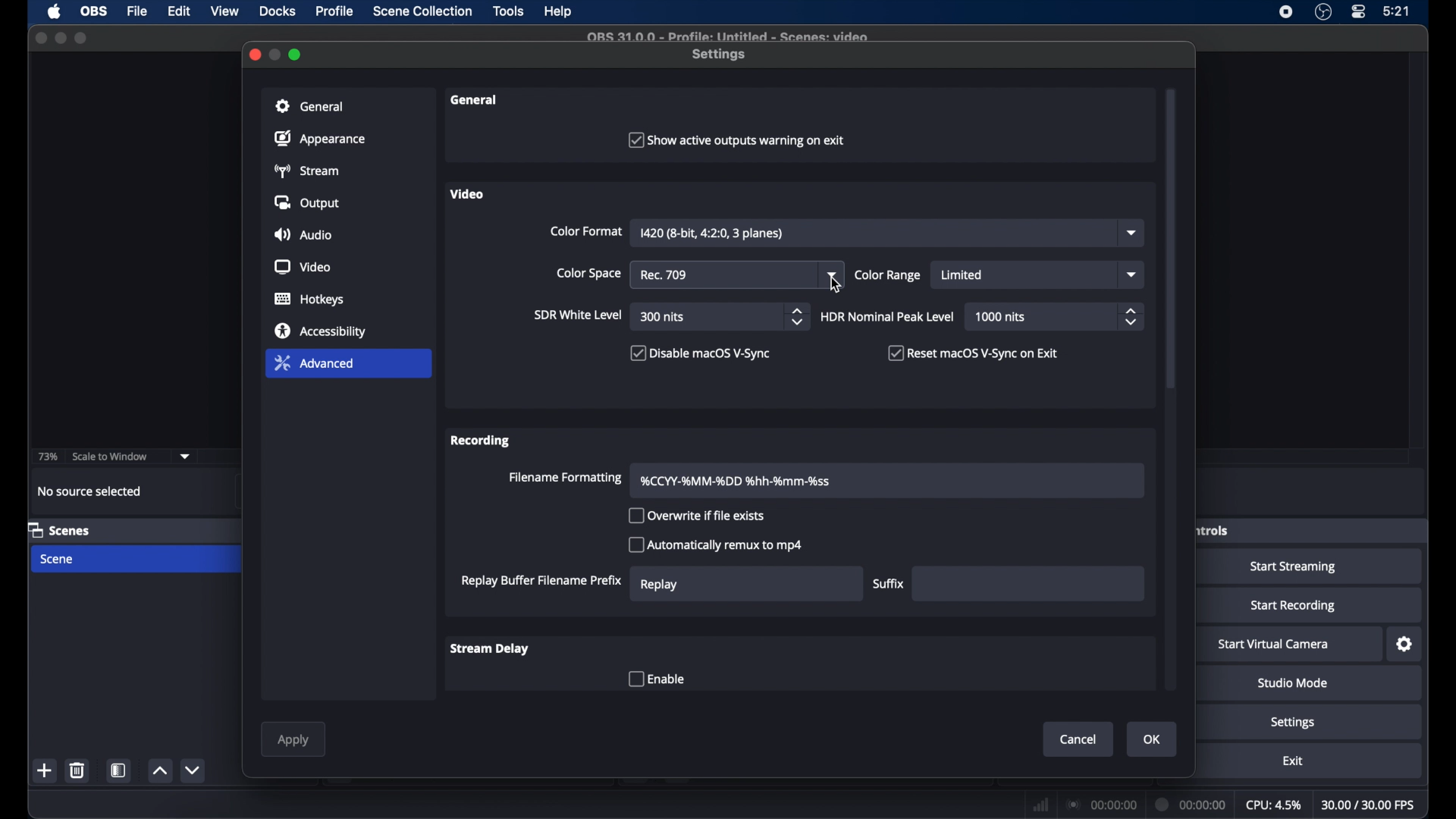  Describe the element at coordinates (1079, 740) in the screenshot. I see `cancel` at that location.